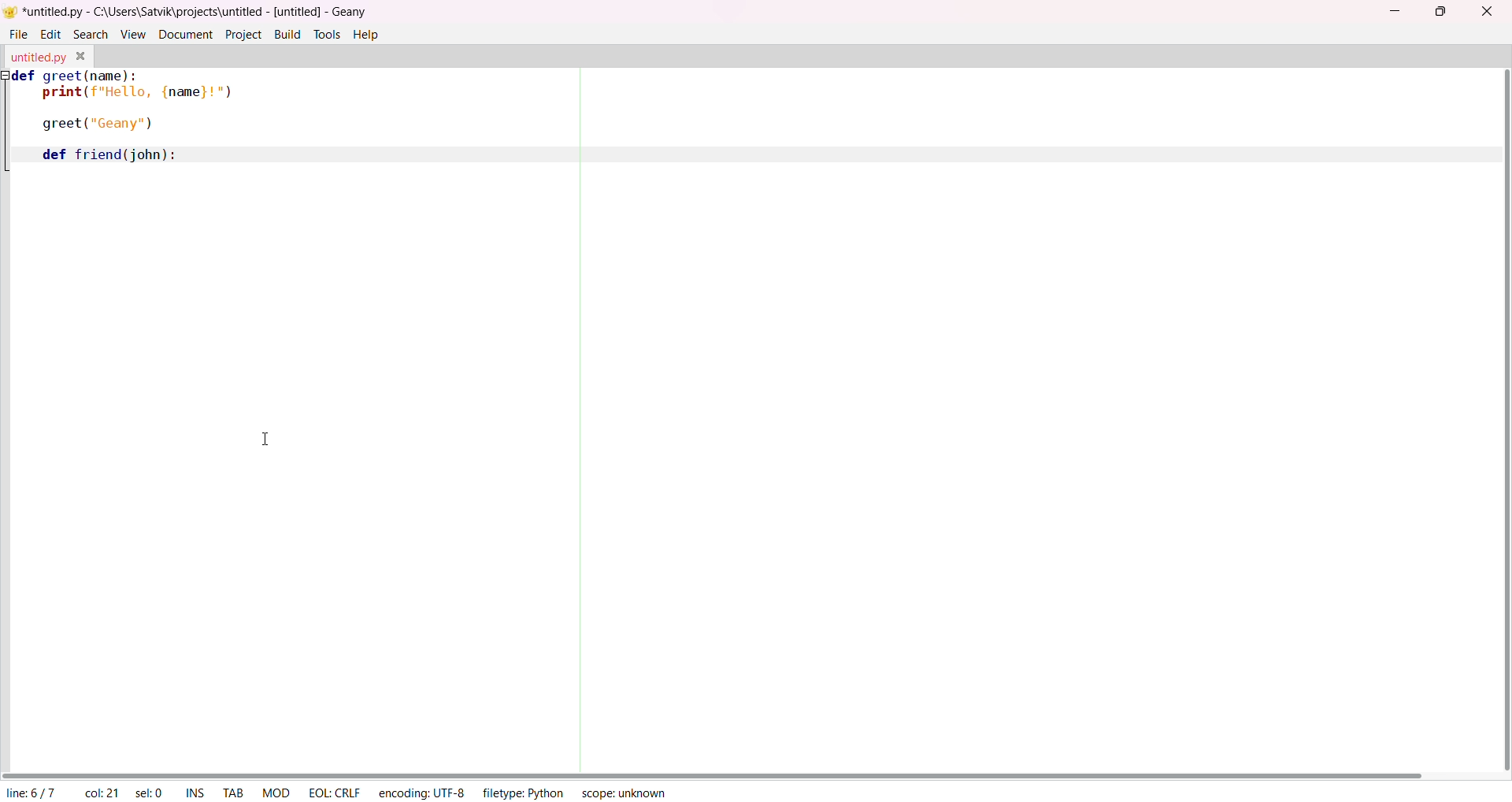 The width and height of the screenshot is (1512, 802). What do you see at coordinates (195, 792) in the screenshot?
I see `INS` at bounding box center [195, 792].